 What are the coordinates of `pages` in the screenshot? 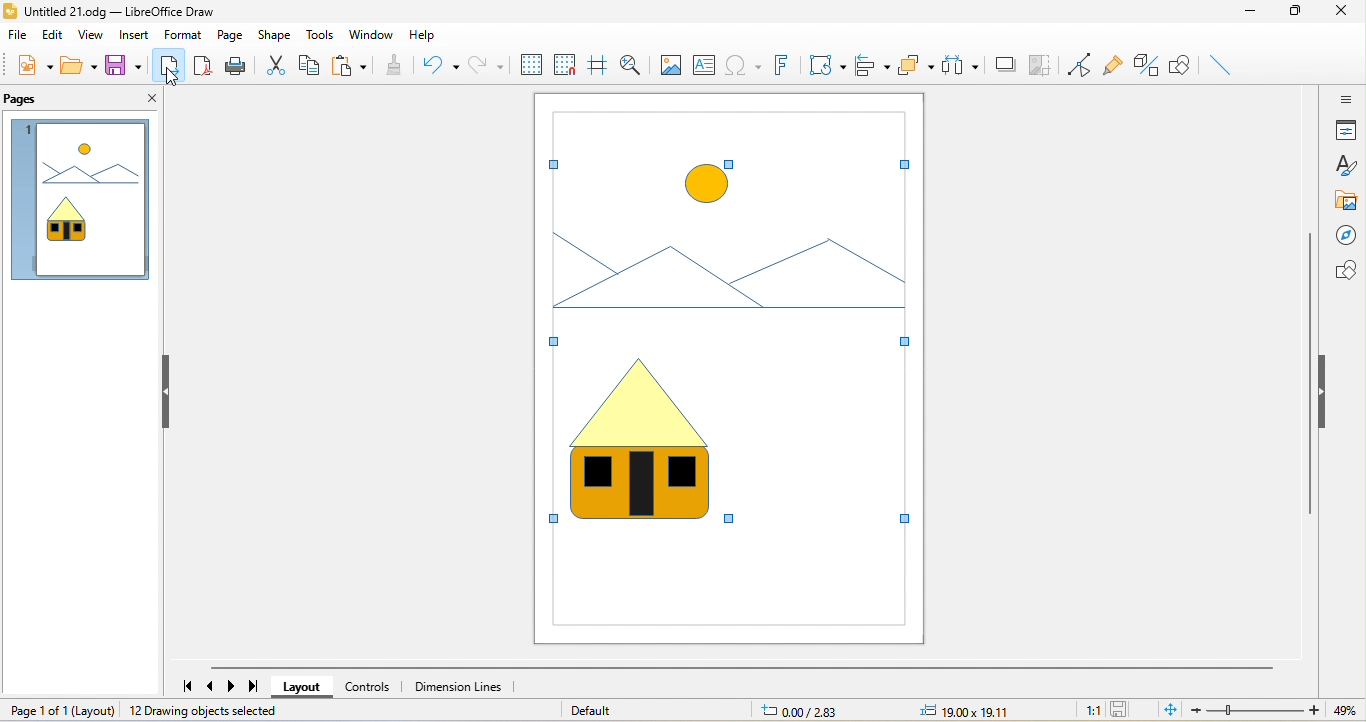 It's located at (33, 101).